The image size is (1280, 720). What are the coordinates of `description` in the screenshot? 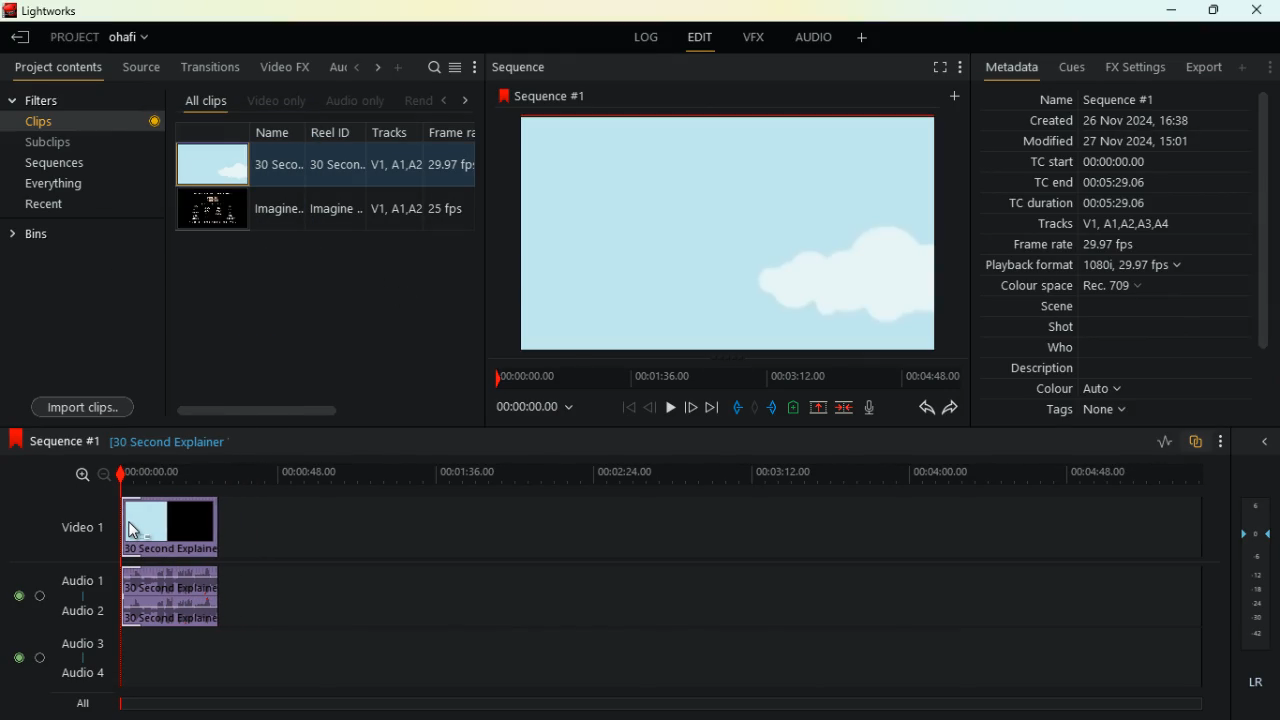 It's located at (1041, 370).